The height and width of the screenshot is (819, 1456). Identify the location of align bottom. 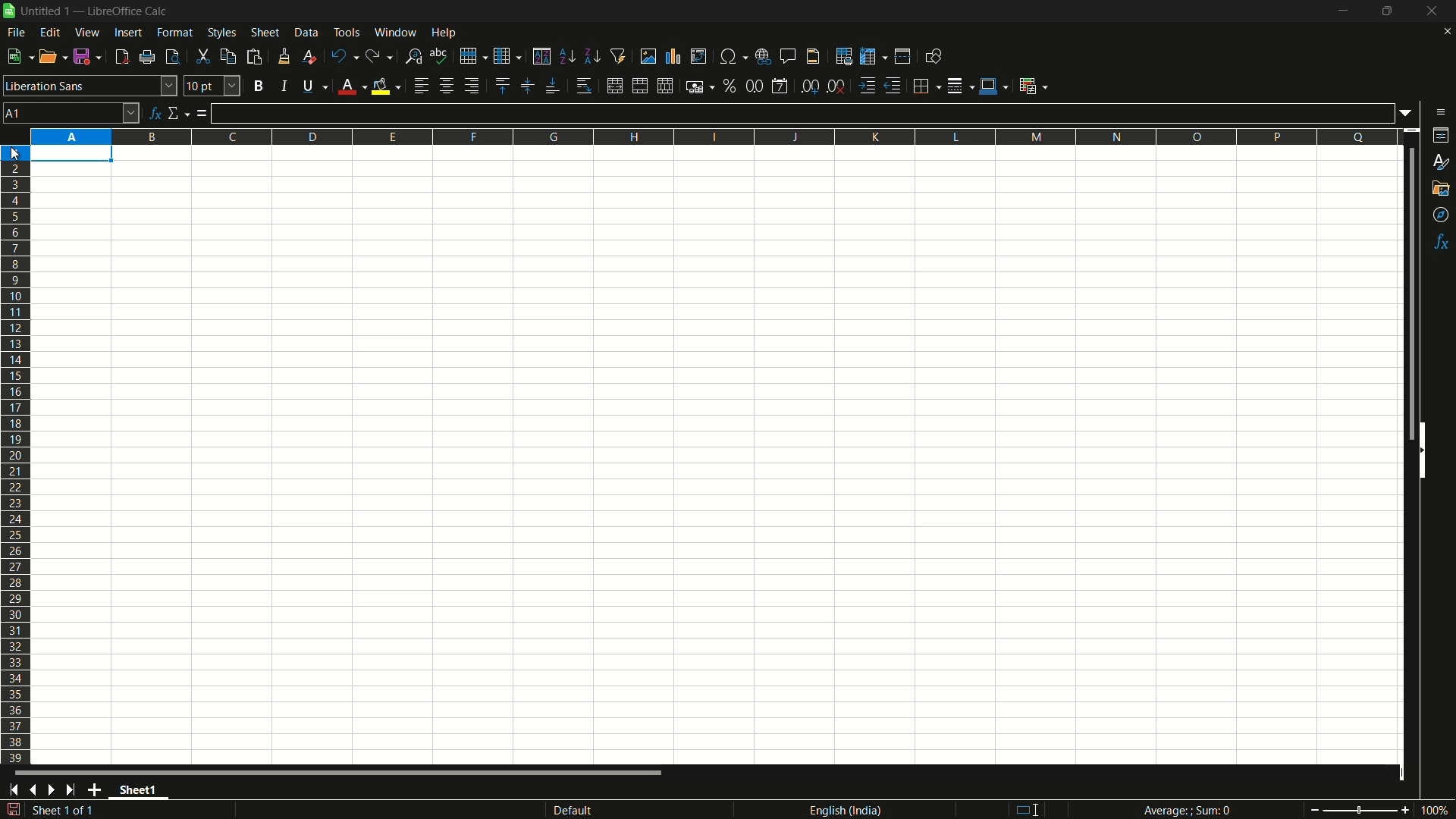
(553, 87).